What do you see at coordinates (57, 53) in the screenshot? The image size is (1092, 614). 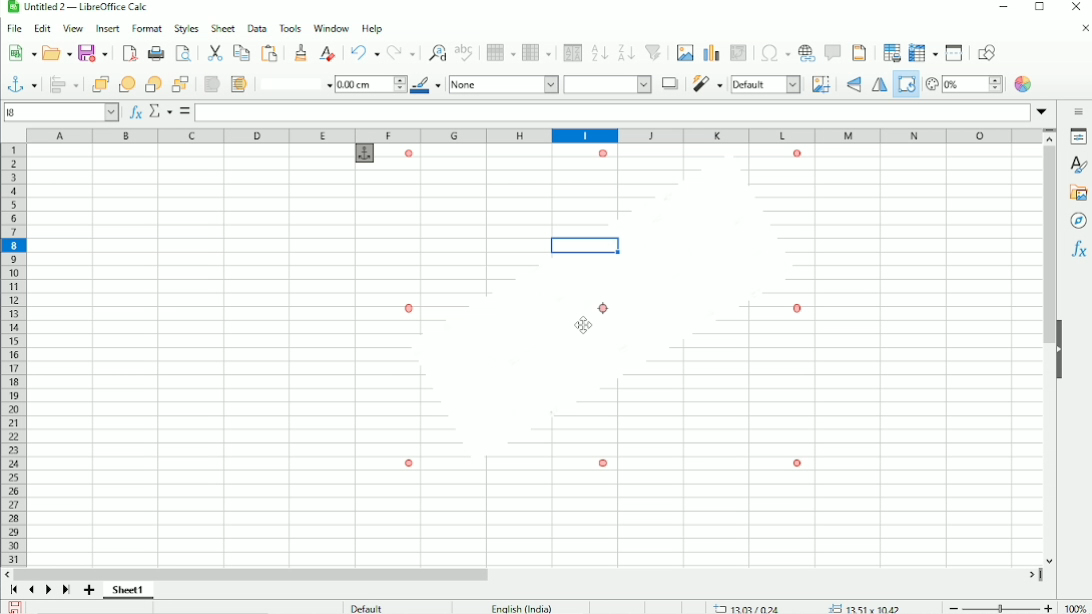 I see `Open` at bounding box center [57, 53].